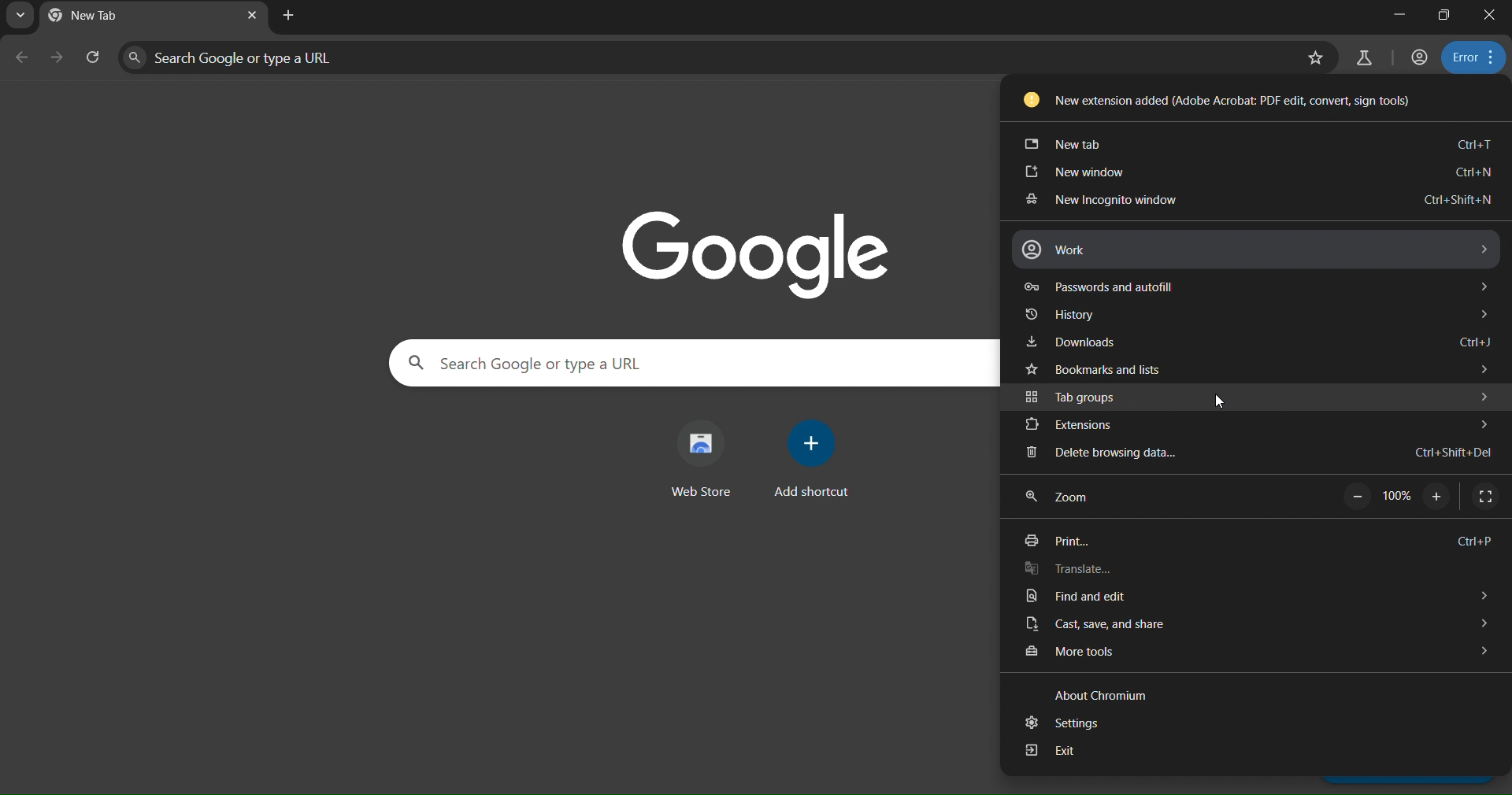  I want to click on minimize, so click(1400, 14).